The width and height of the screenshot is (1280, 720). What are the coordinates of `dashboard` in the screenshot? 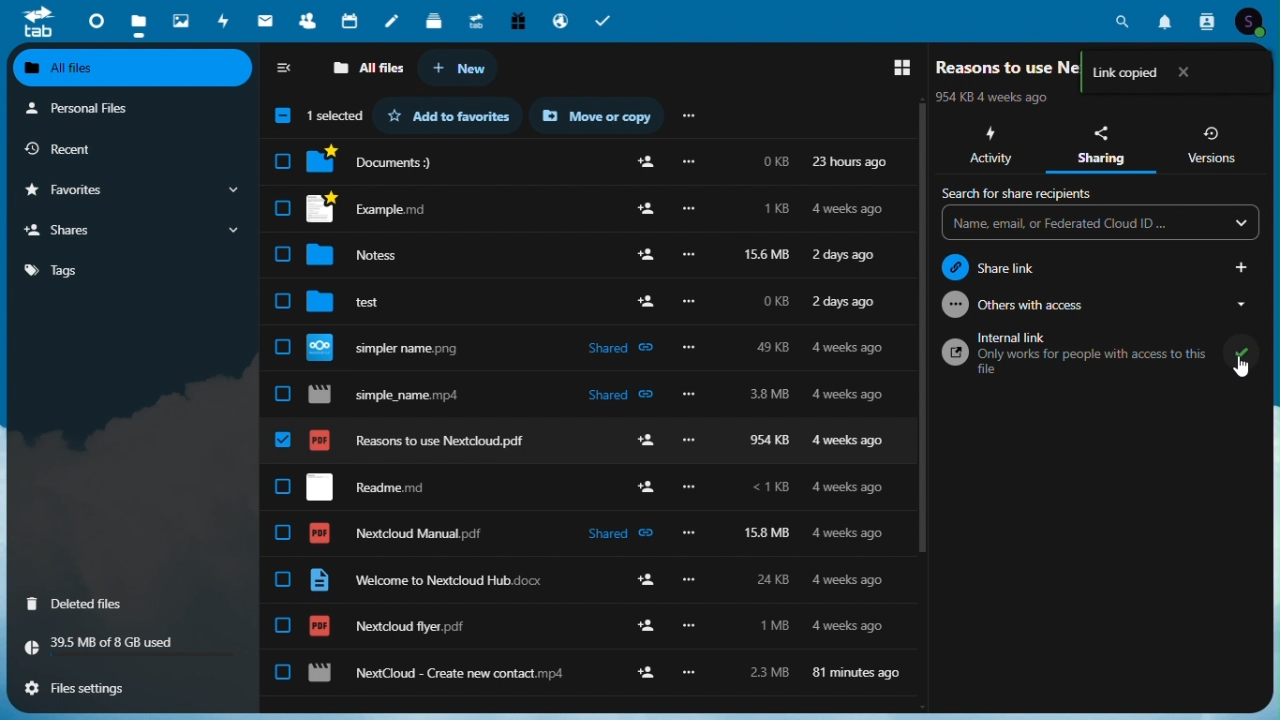 It's located at (89, 20).